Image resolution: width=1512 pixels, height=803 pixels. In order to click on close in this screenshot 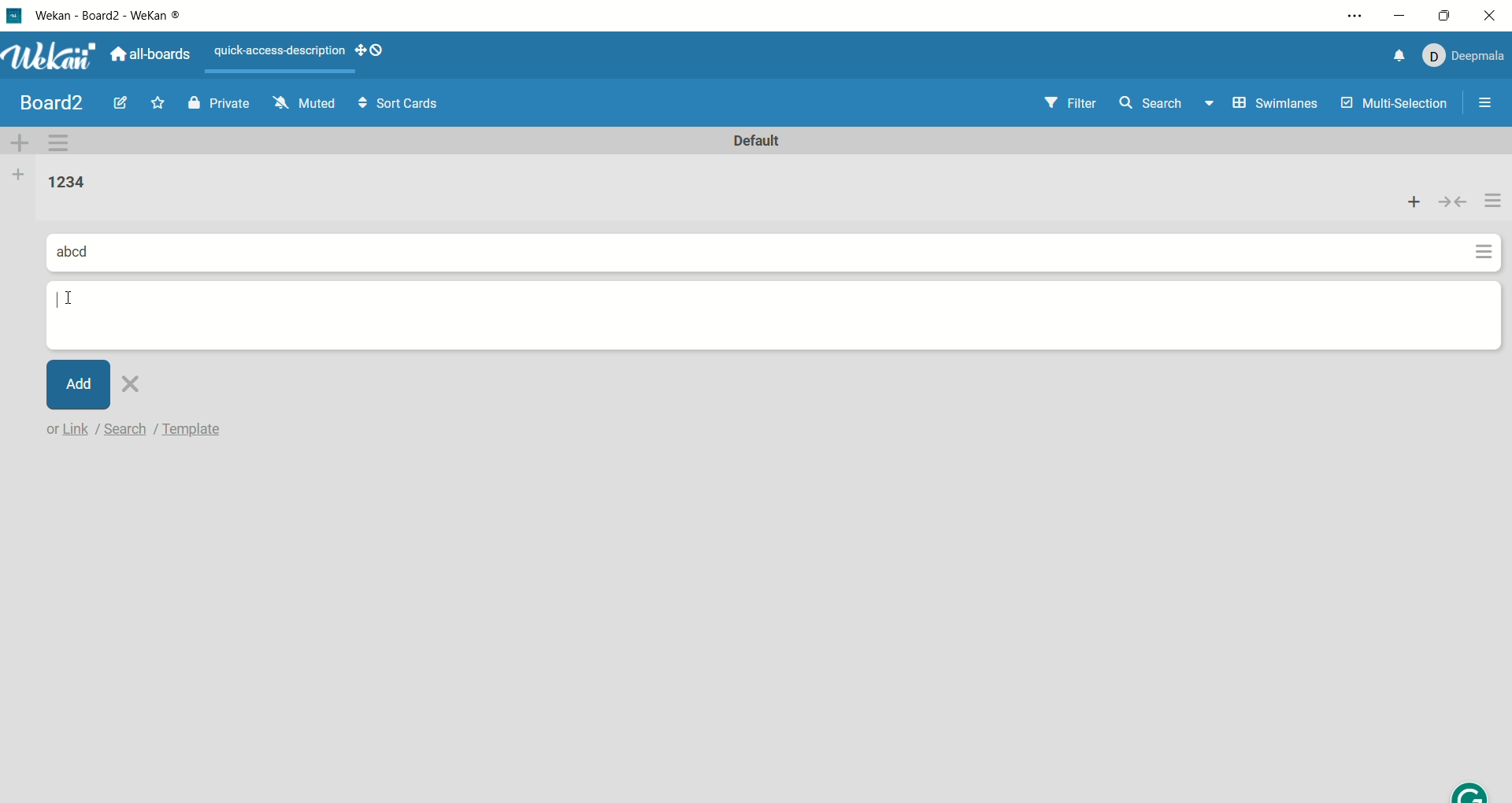, I will do `click(1493, 17)`.